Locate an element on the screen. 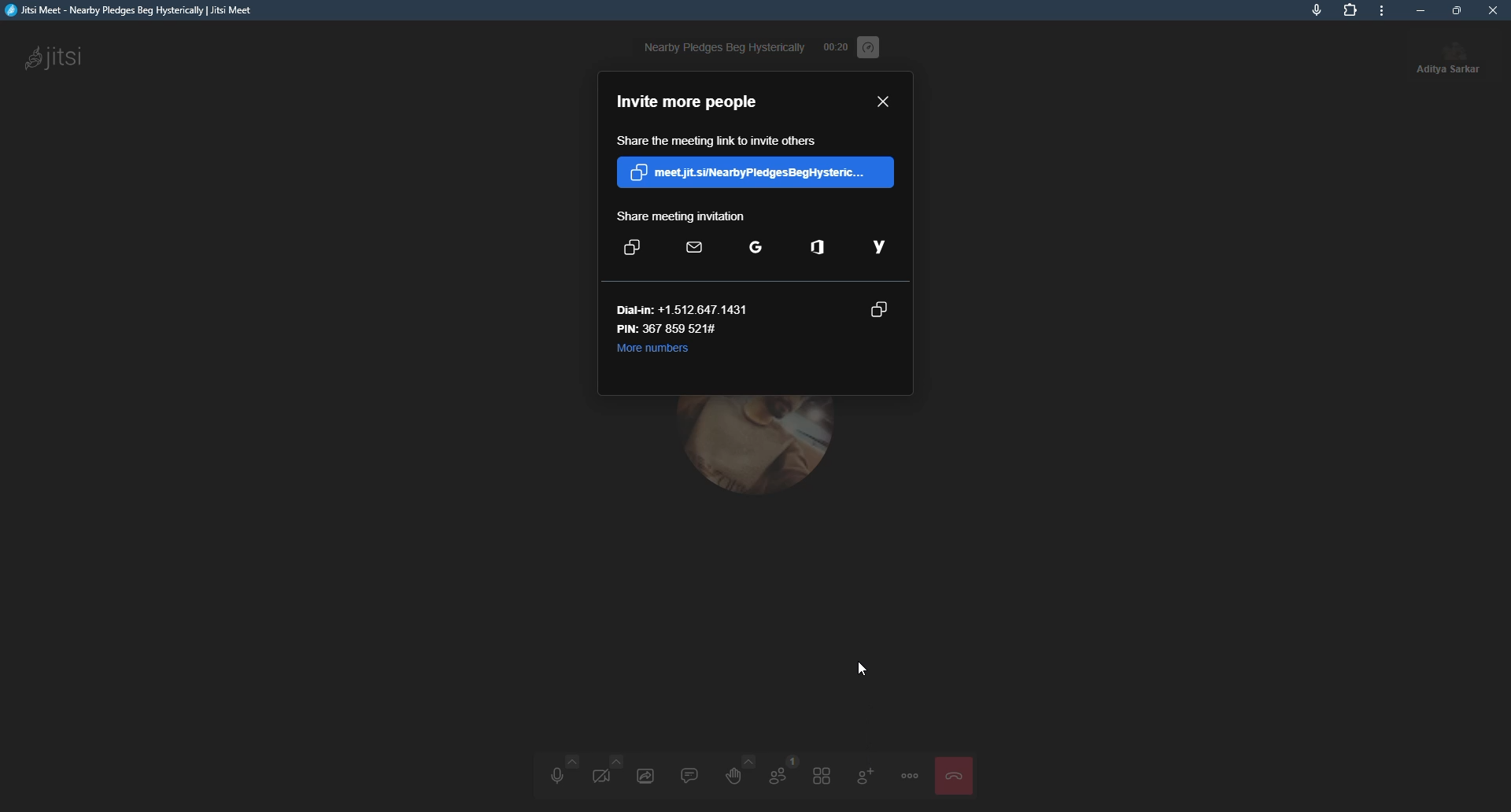  jitsi is located at coordinates (66, 62).